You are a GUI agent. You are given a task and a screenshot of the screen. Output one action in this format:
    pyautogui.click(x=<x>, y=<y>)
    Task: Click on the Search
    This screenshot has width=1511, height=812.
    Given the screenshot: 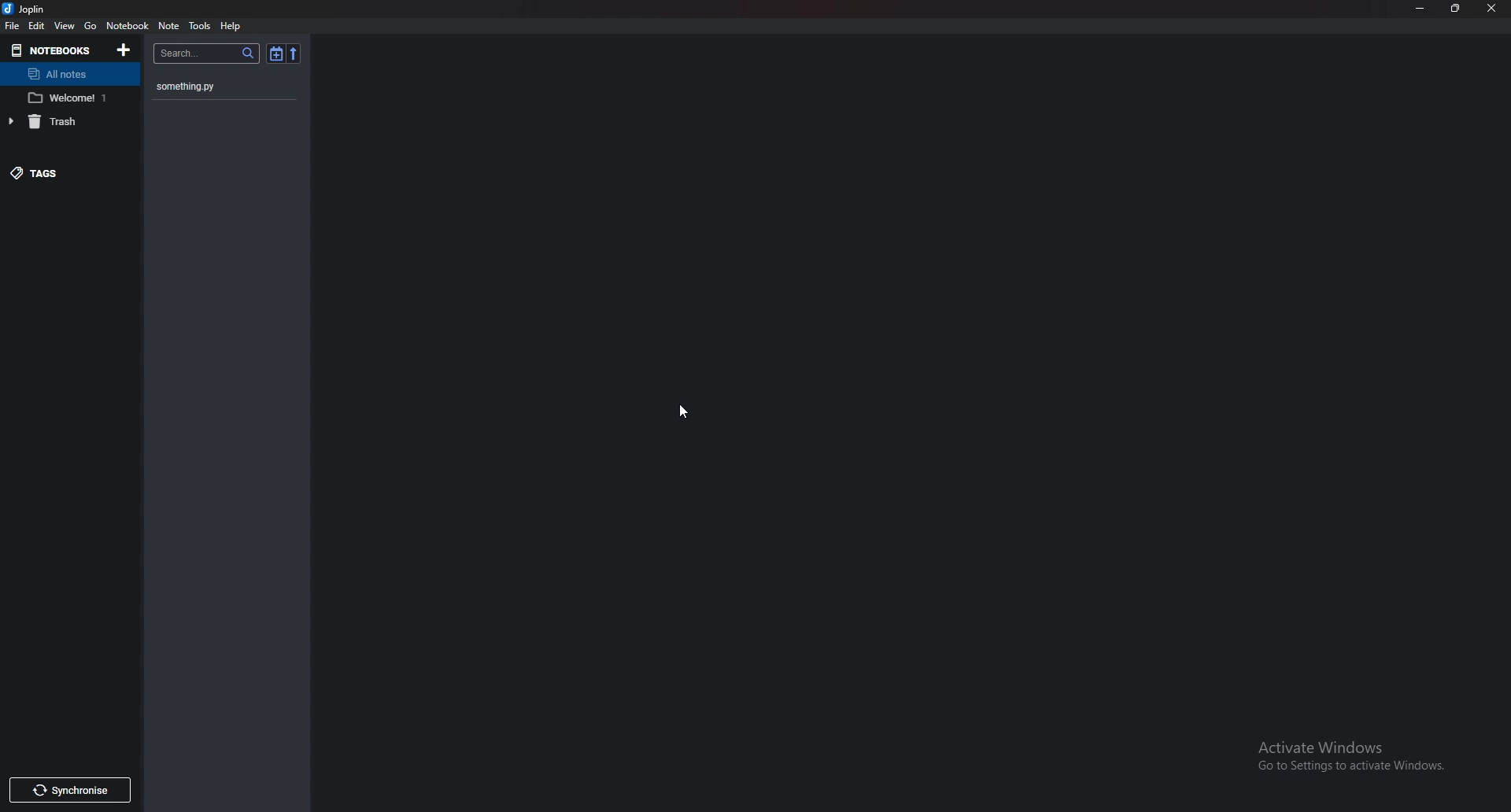 What is the action you would take?
    pyautogui.click(x=207, y=54)
    